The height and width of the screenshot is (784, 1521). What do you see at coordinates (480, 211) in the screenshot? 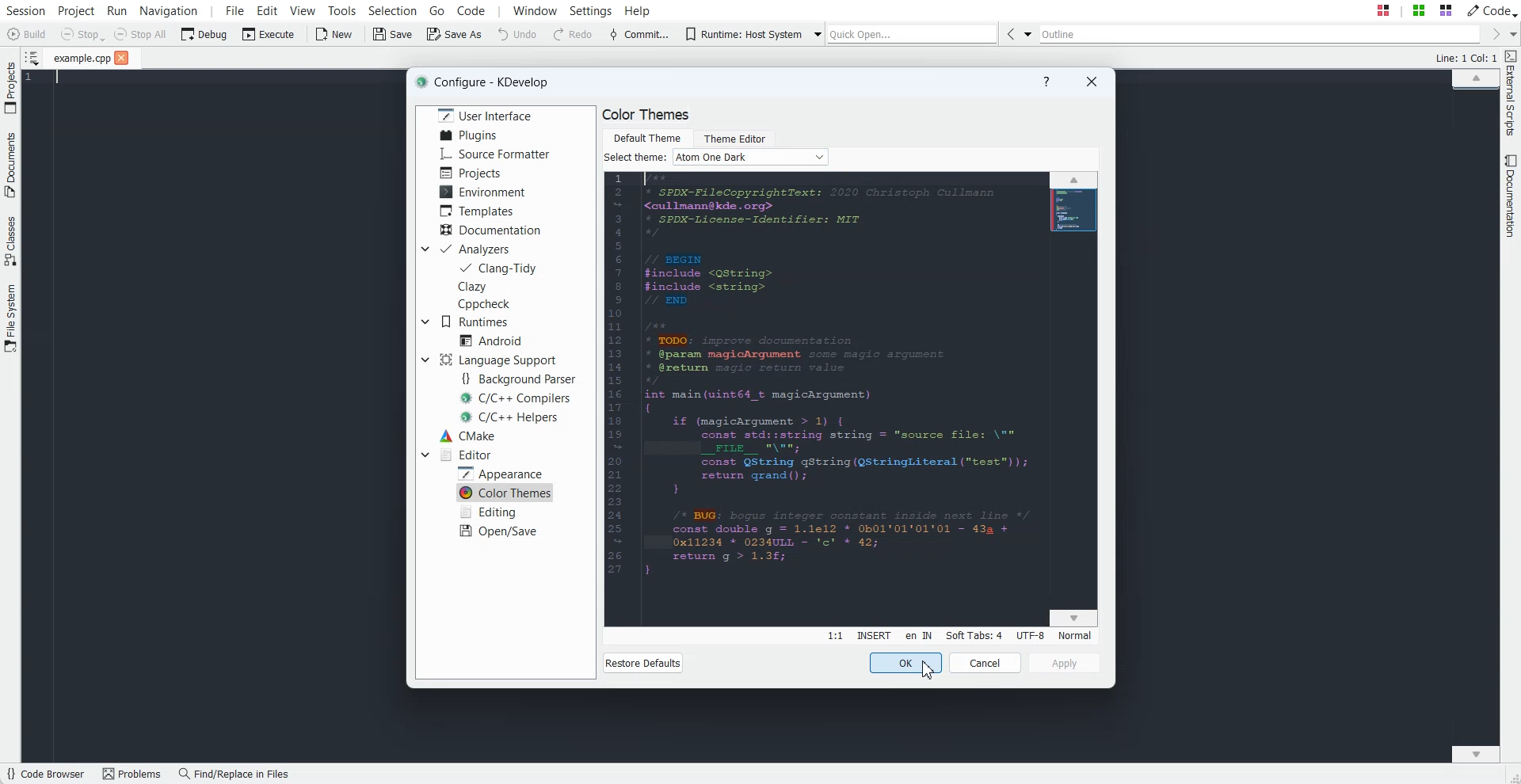
I see `Templates` at bounding box center [480, 211].